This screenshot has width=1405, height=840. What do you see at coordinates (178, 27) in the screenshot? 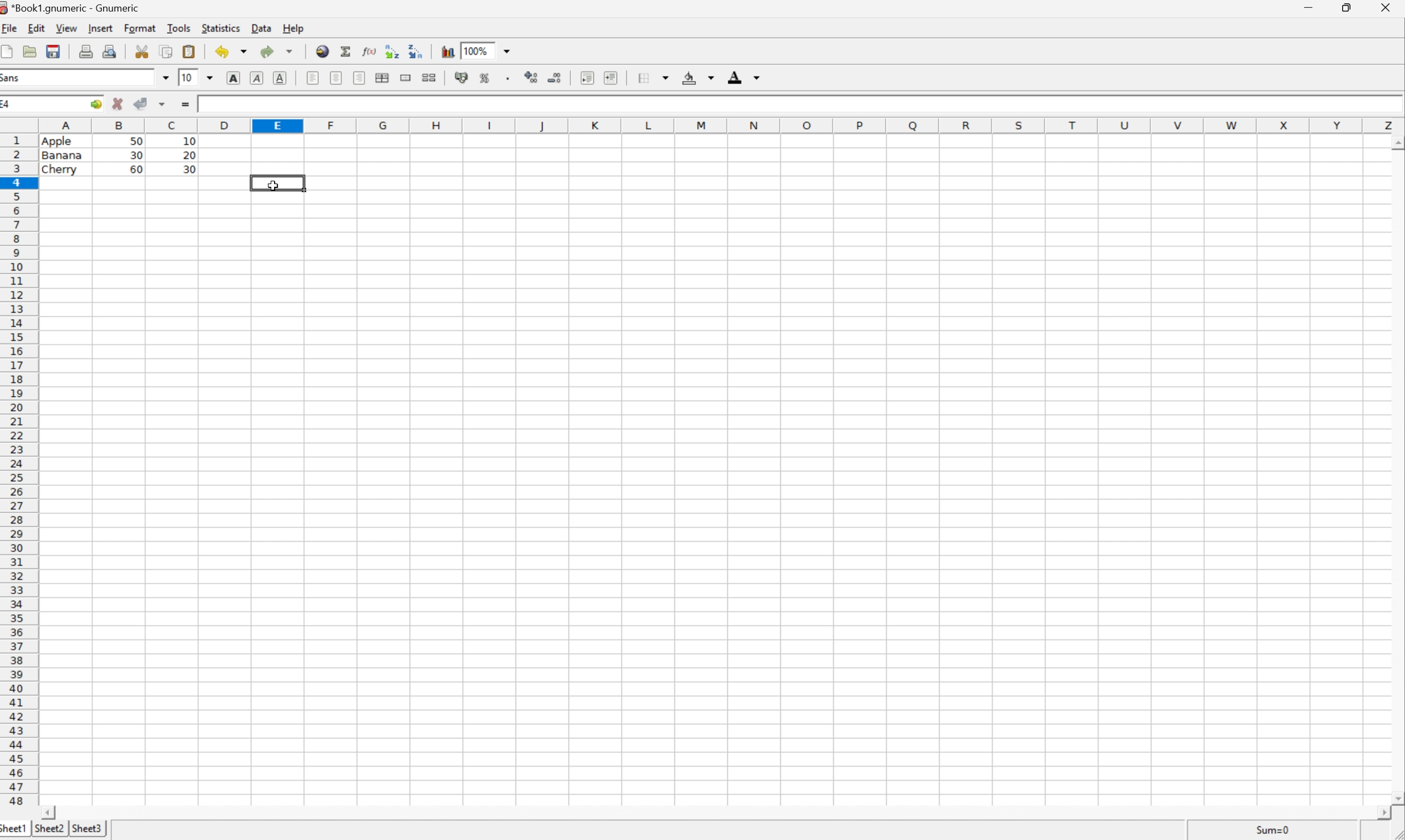
I see `tools` at bounding box center [178, 27].